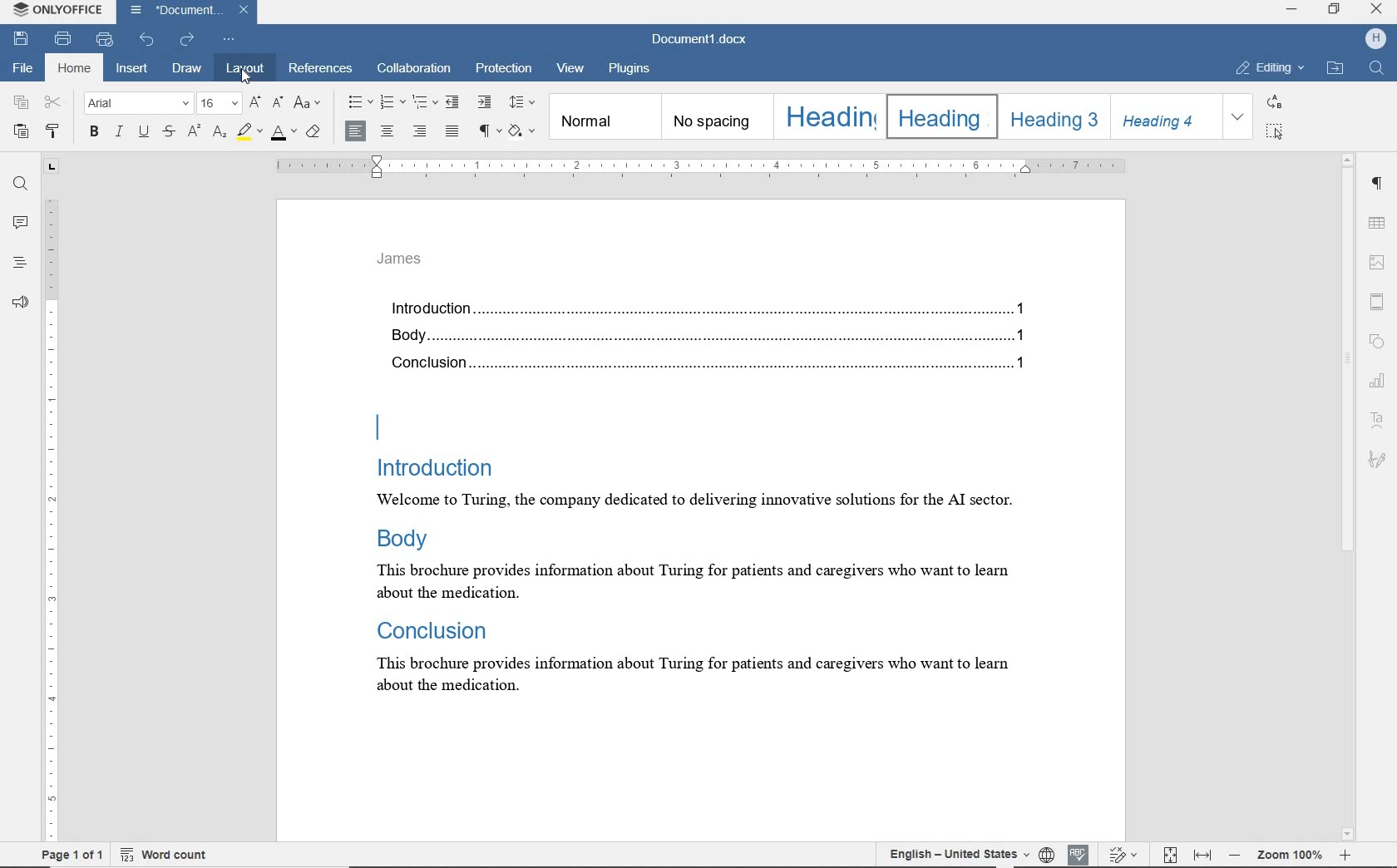 This screenshot has width=1397, height=868. What do you see at coordinates (1379, 419) in the screenshot?
I see `text art` at bounding box center [1379, 419].